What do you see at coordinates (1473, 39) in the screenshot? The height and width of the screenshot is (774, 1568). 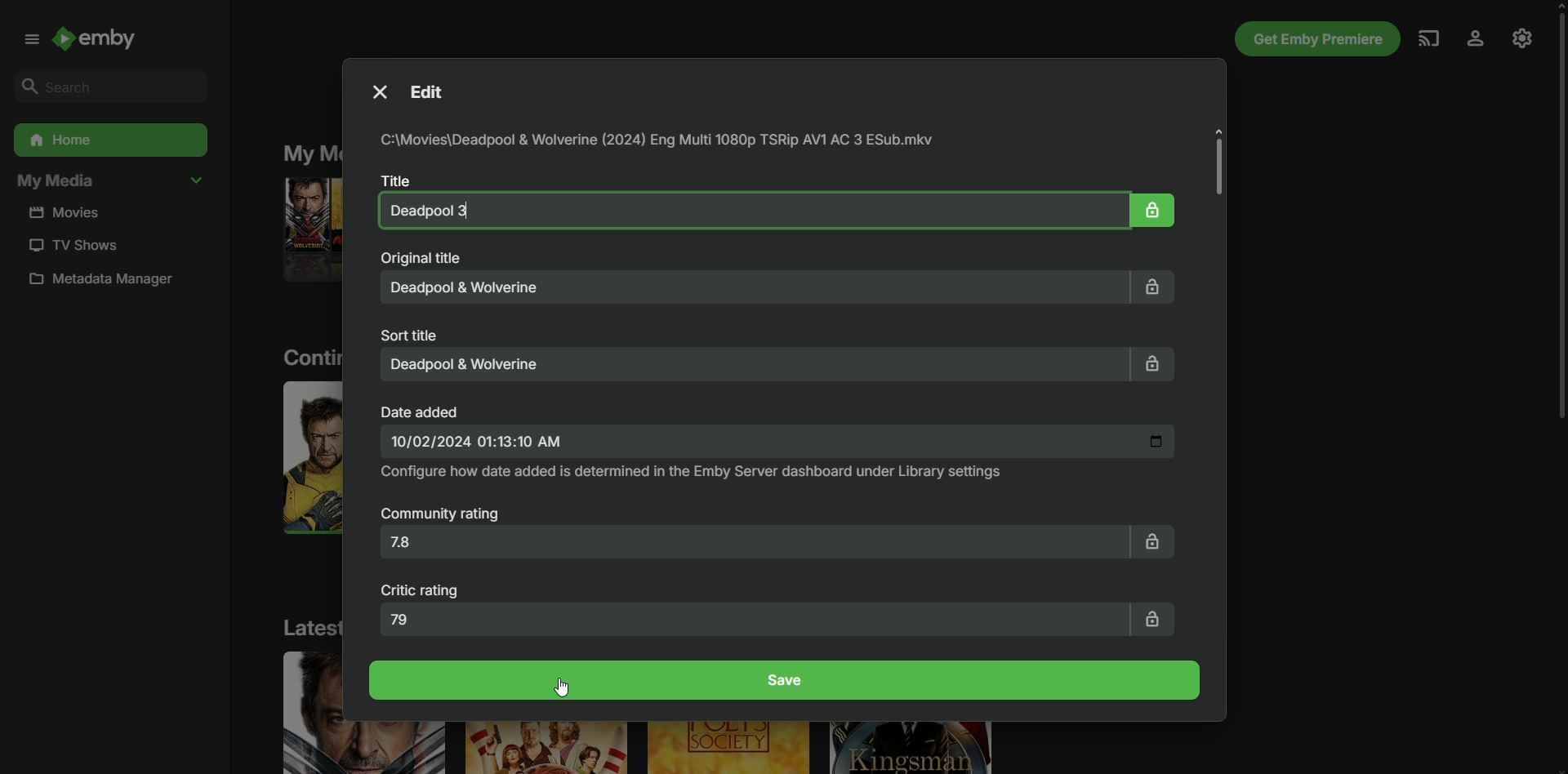 I see `Profile` at bounding box center [1473, 39].